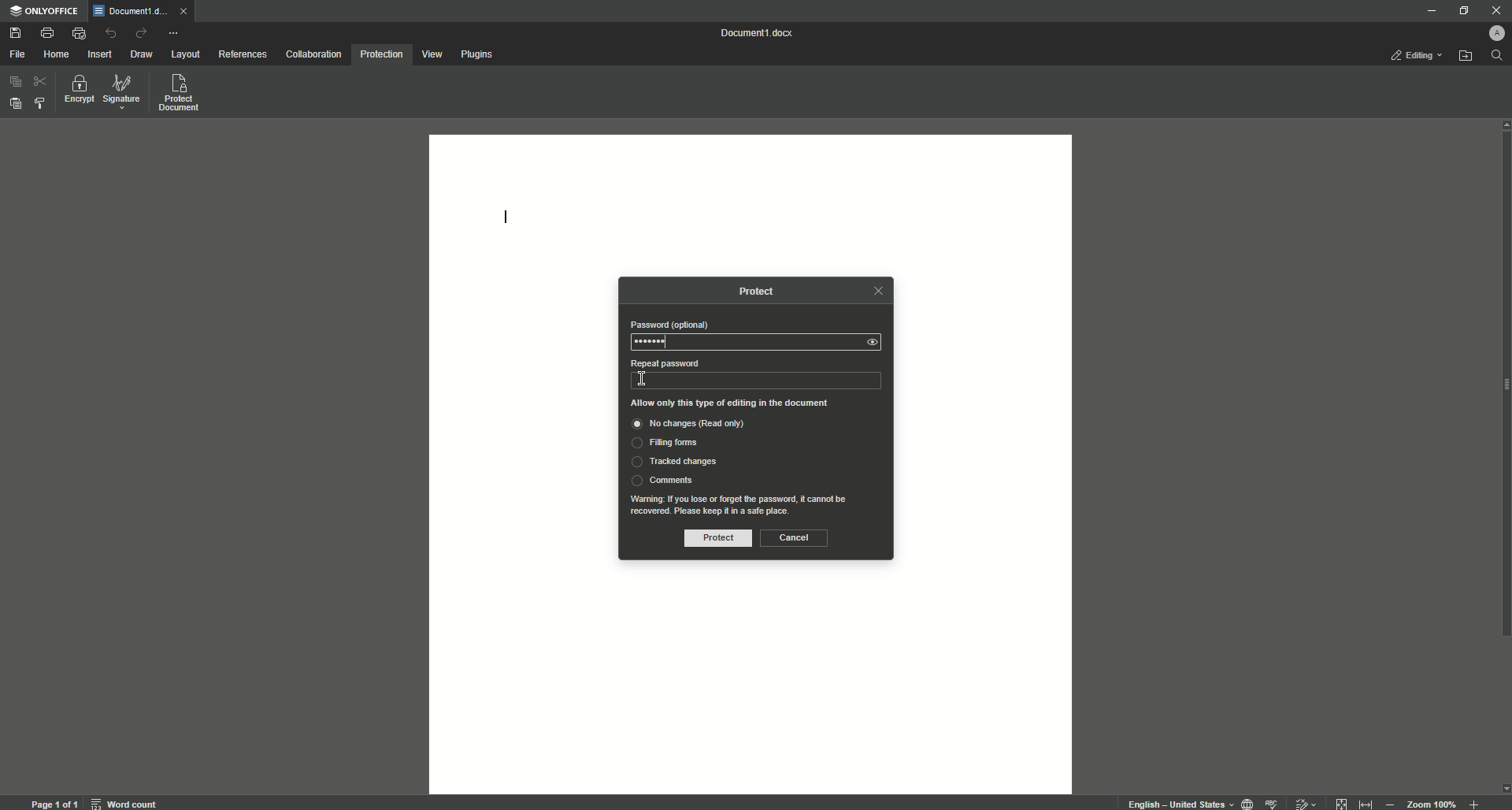  What do you see at coordinates (662, 480) in the screenshot?
I see `Comments` at bounding box center [662, 480].